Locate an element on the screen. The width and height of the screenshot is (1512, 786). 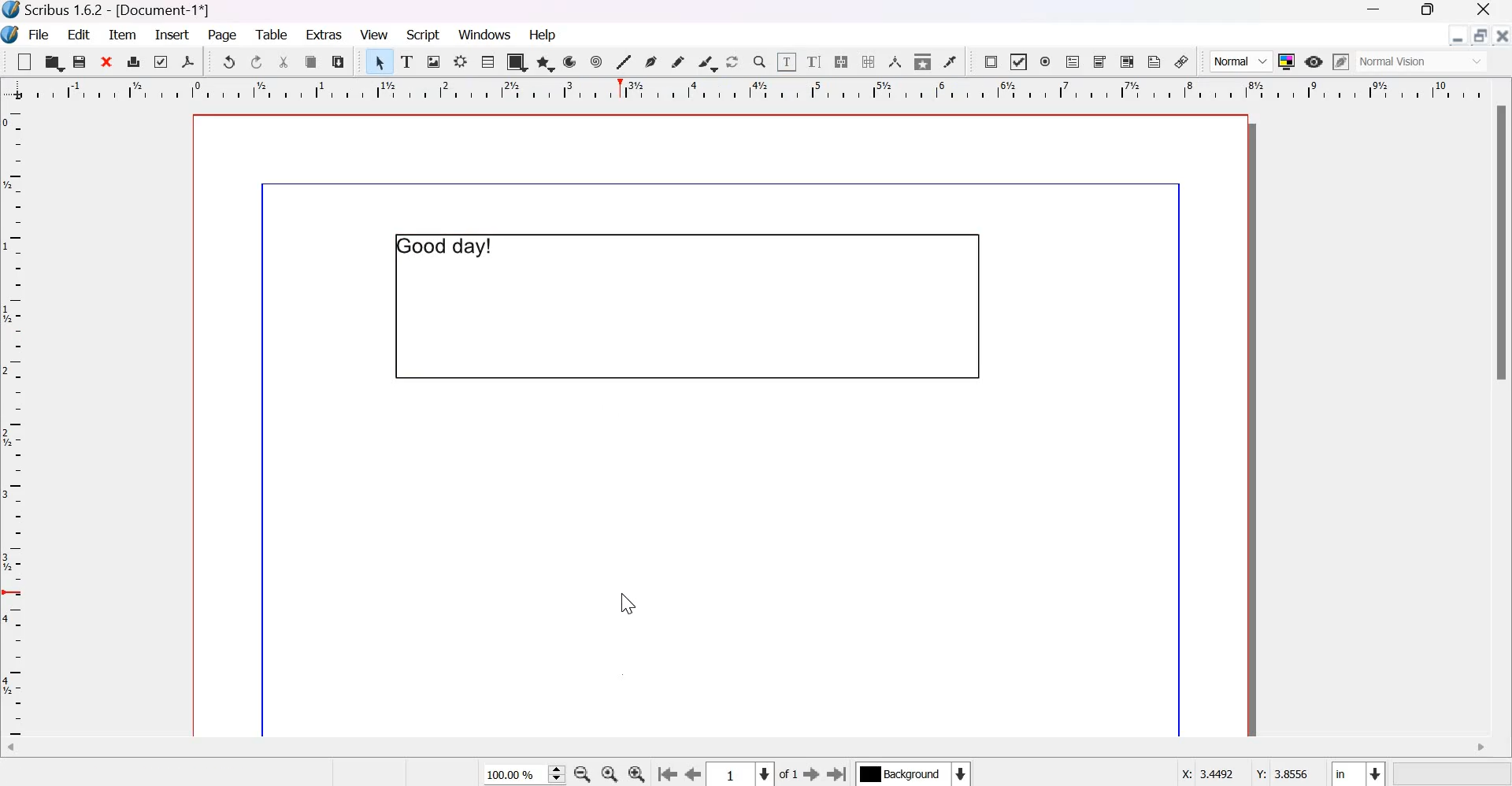
Extras is located at coordinates (324, 33).